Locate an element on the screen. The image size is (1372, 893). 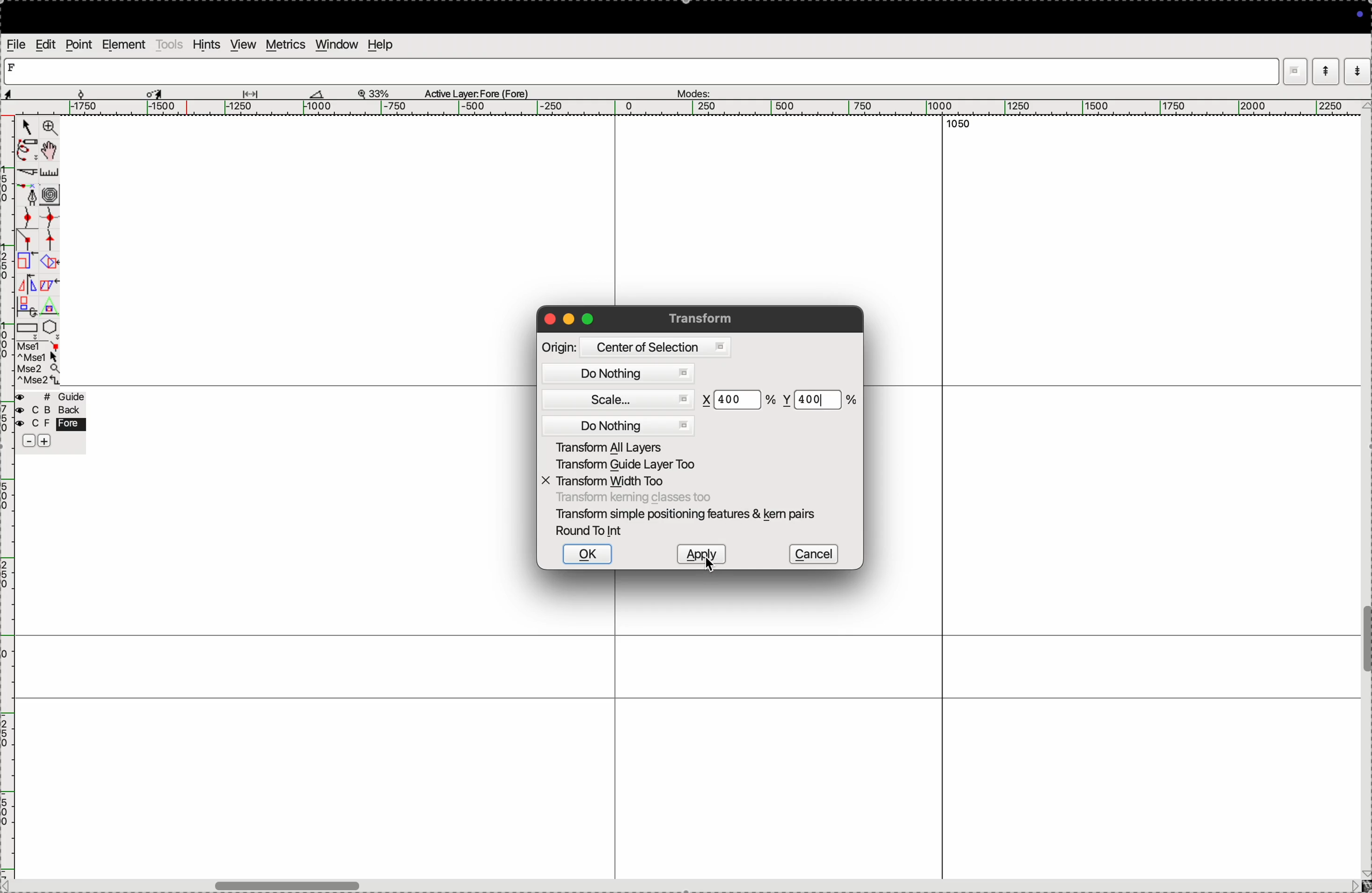
zoom is located at coordinates (50, 129).